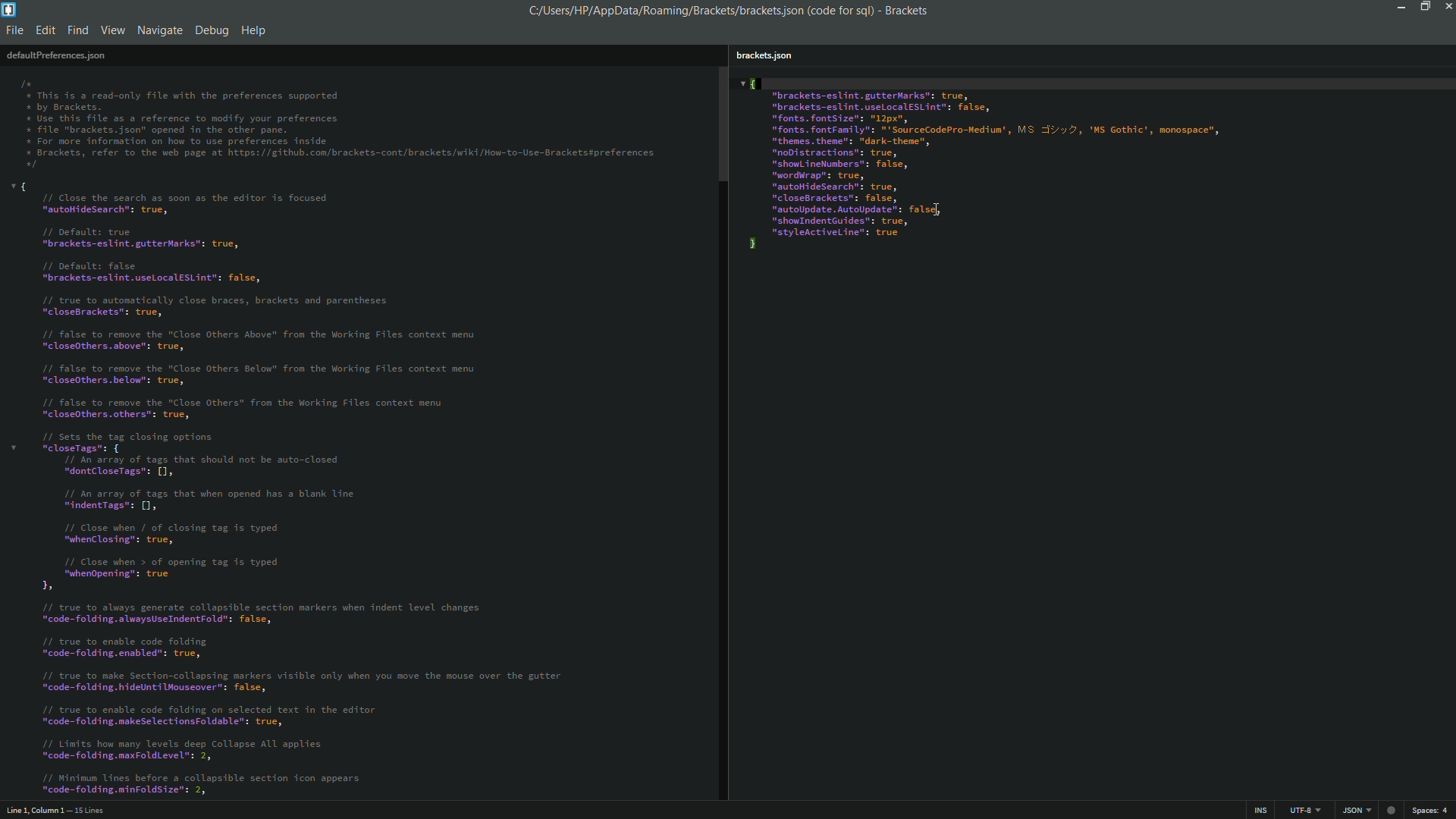 The width and height of the screenshot is (1456, 819). Describe the element at coordinates (736, 11) in the screenshot. I see `C/Users/HP/AppData/Roaming/Brackets/bracketsjson (code for sql) - Brackets` at that location.